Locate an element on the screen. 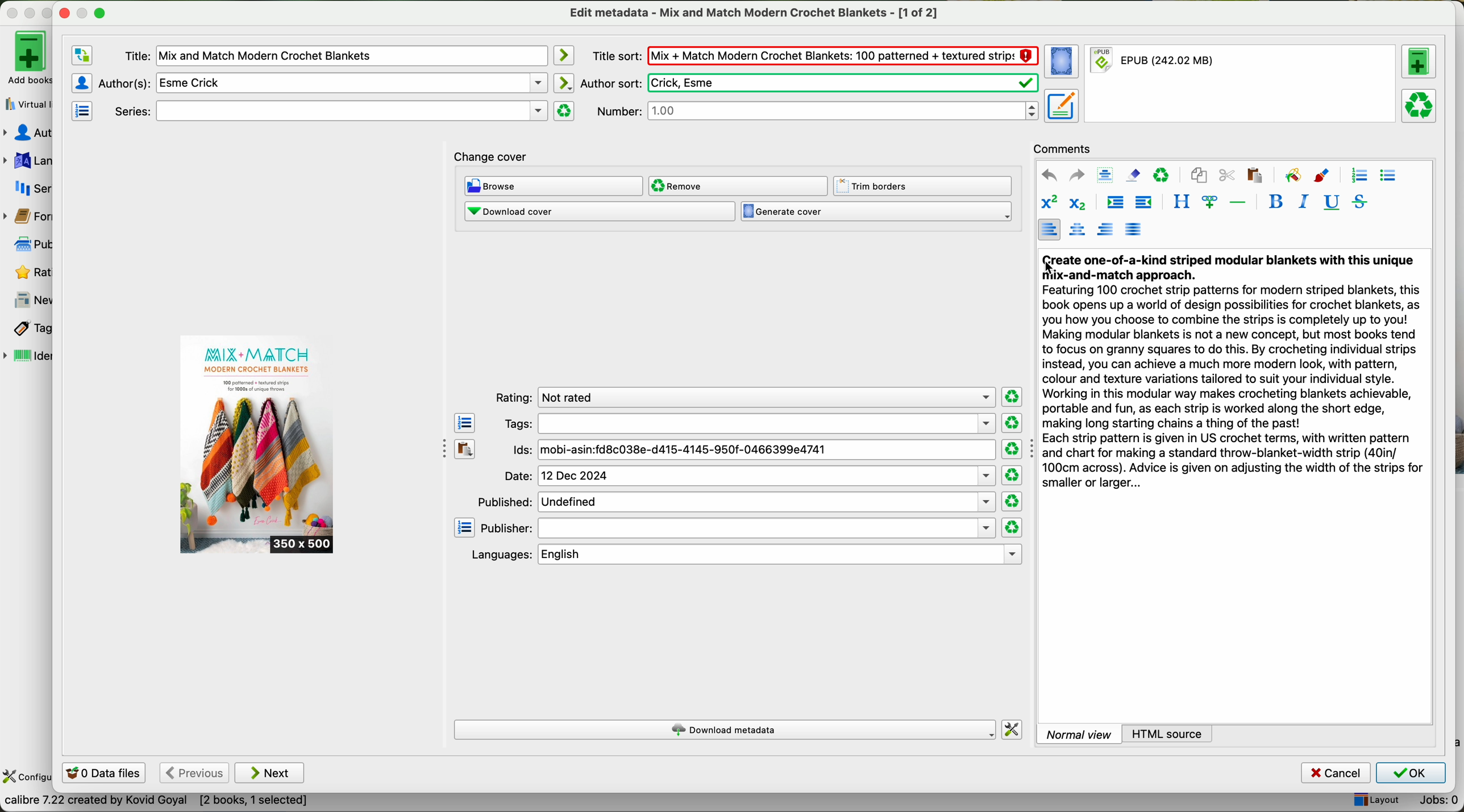 This screenshot has height=812, width=1464. trim borders is located at coordinates (926, 186).